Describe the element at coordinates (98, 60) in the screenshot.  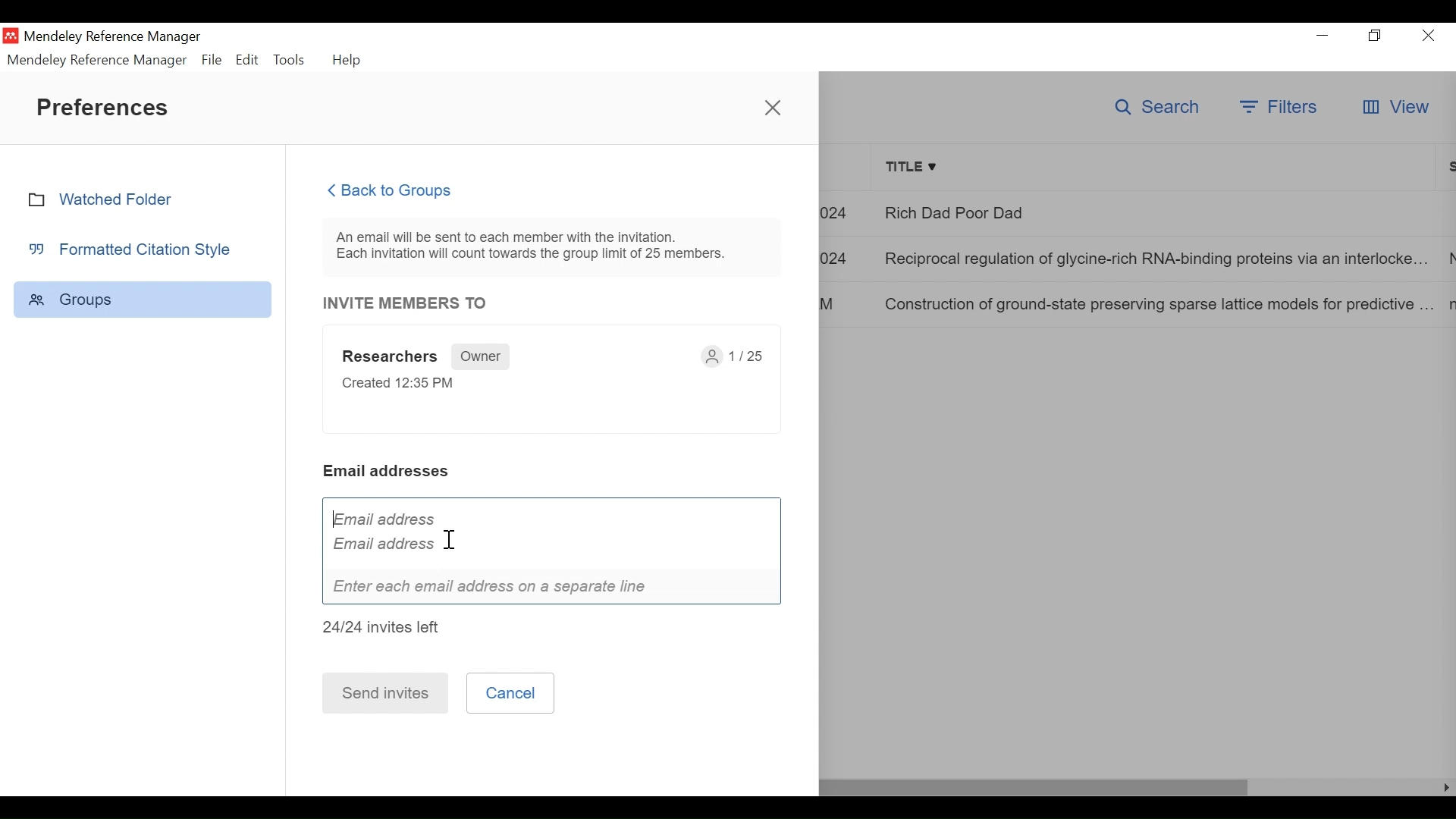
I see `Mendeley Reference Manager` at that location.